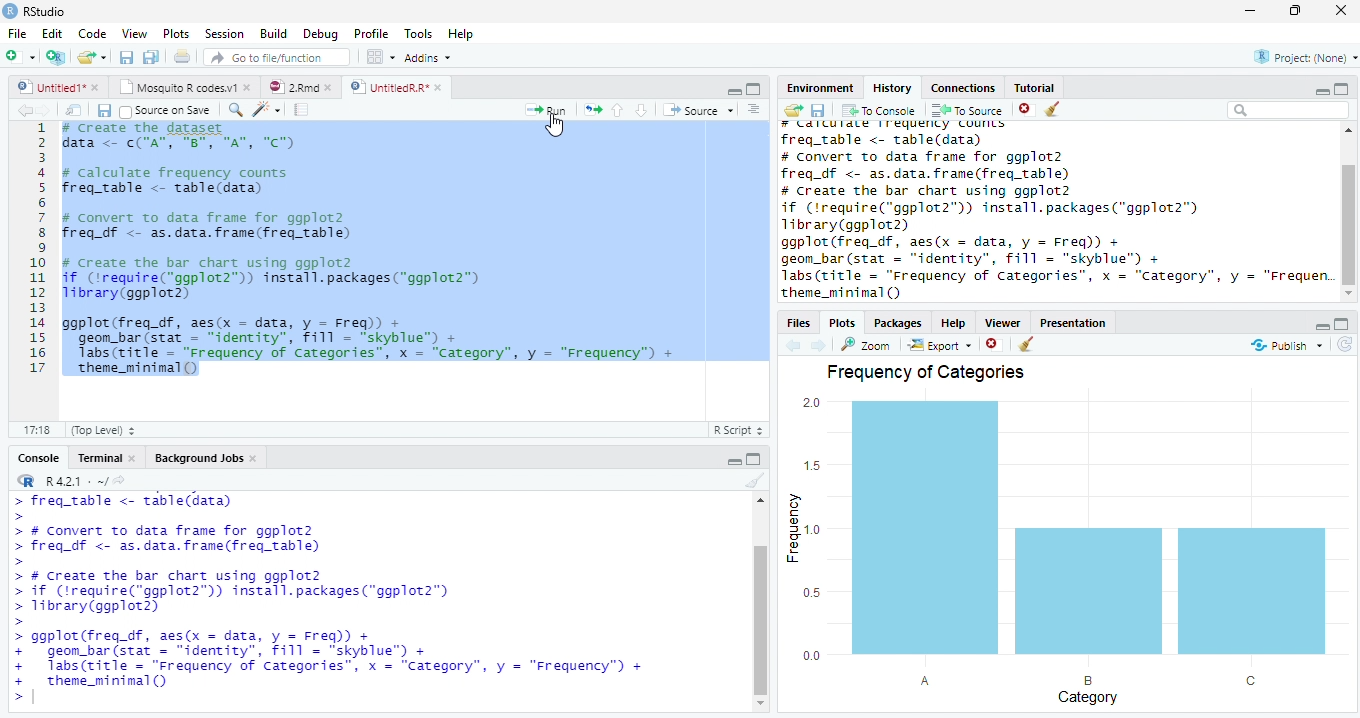  I want to click on Tutorial, so click(1035, 87).